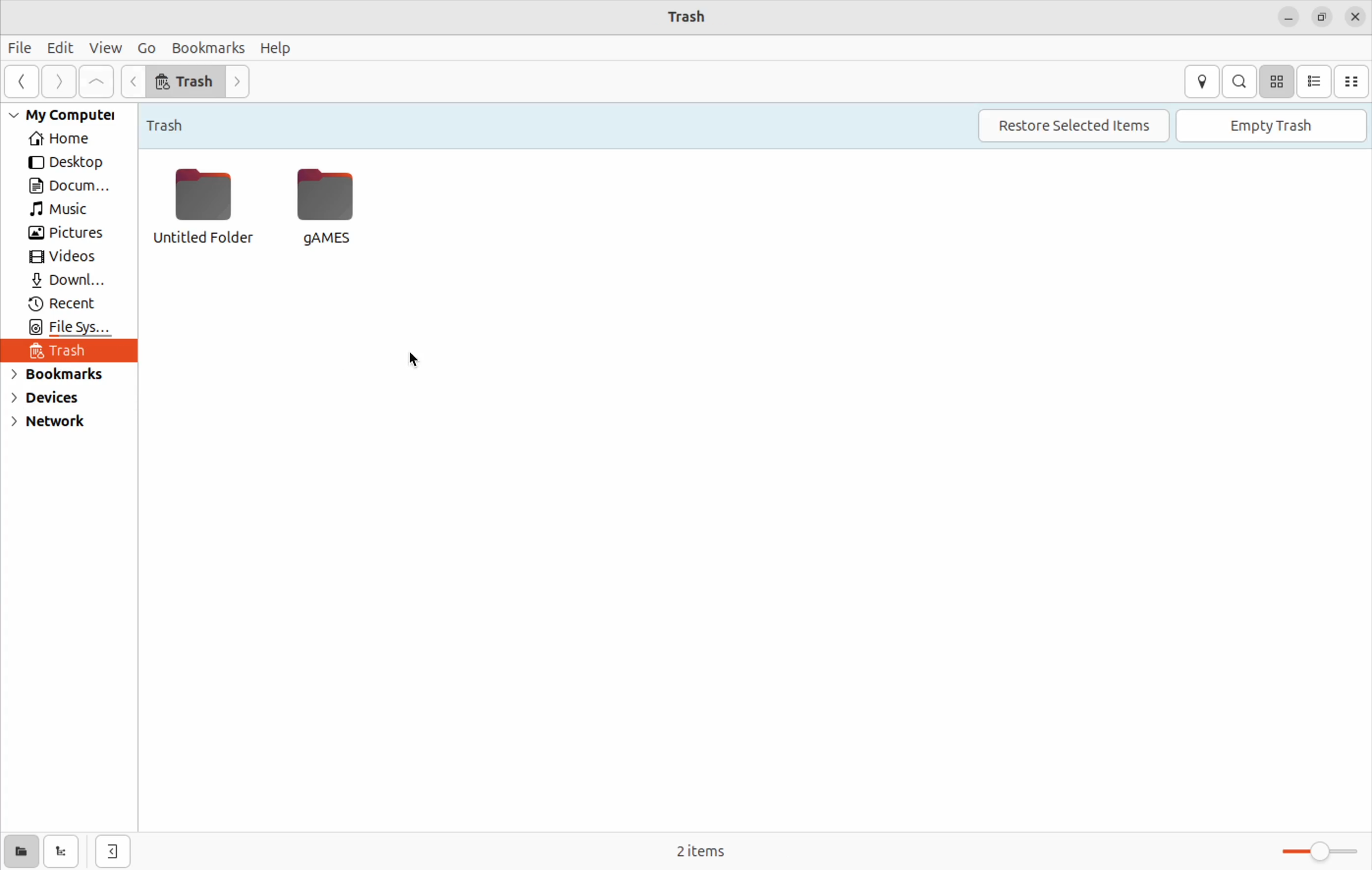 Image resolution: width=1372 pixels, height=870 pixels. I want to click on Trash, so click(173, 122).